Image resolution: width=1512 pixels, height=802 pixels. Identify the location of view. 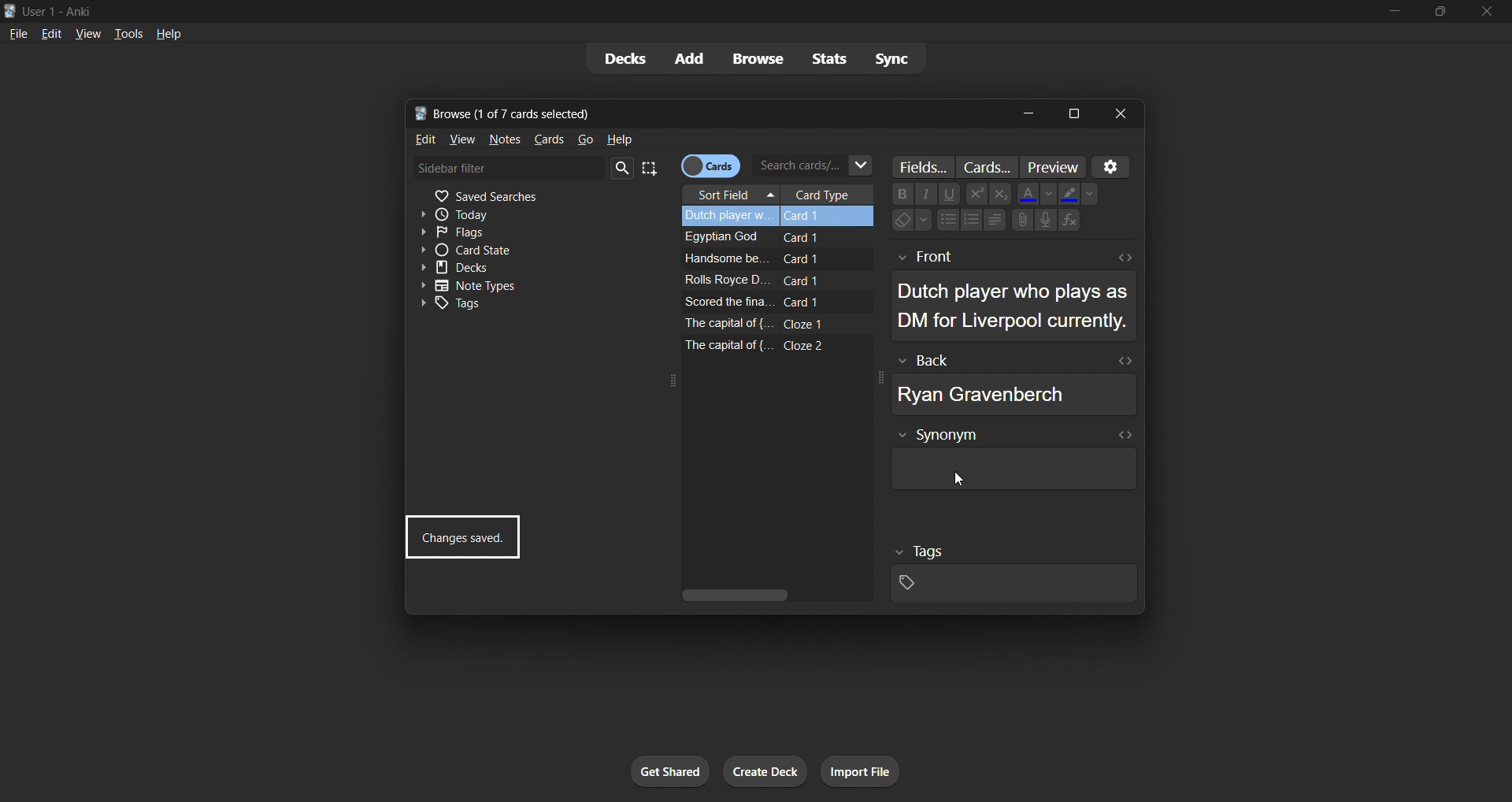
(462, 141).